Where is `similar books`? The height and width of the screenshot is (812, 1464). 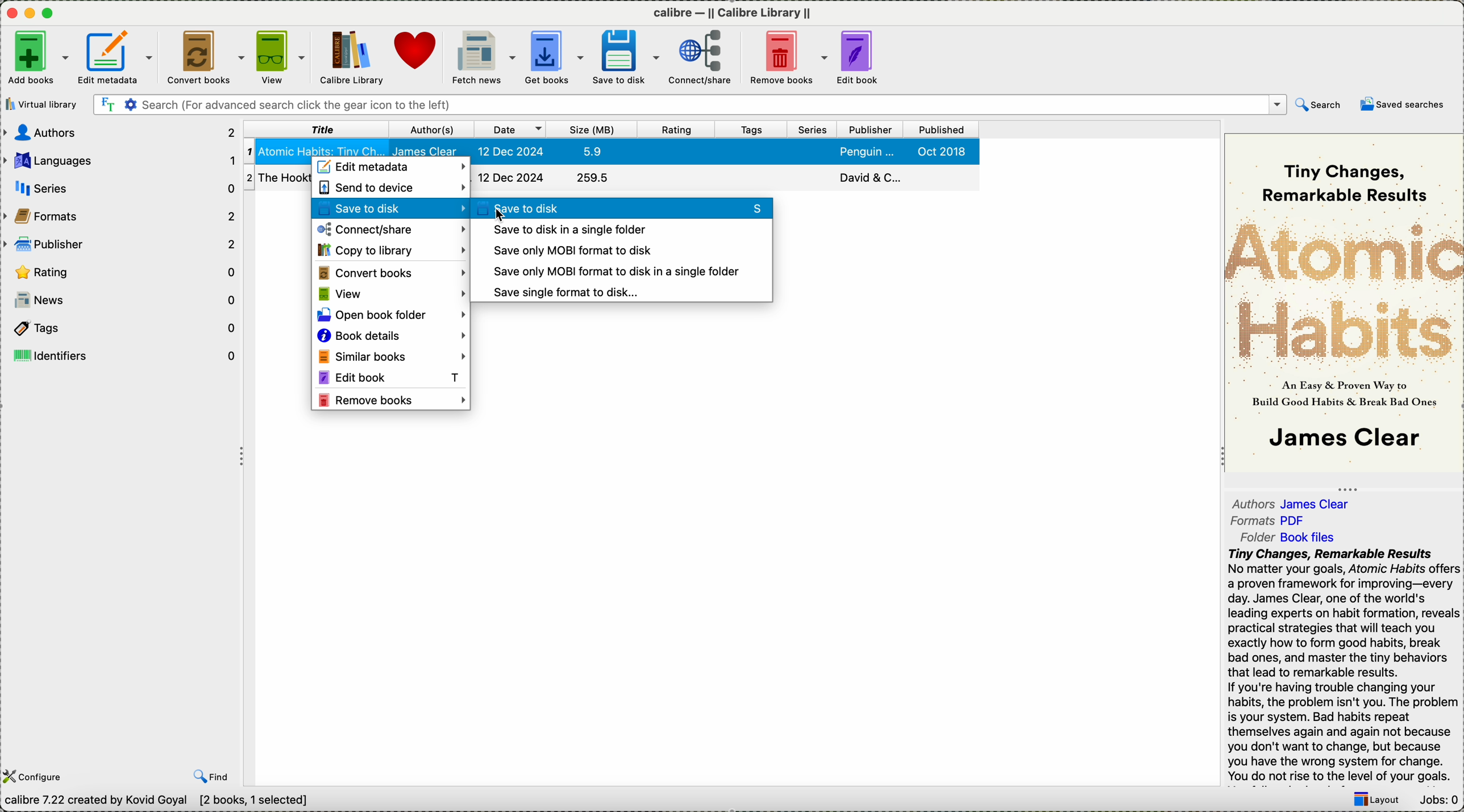
similar books is located at coordinates (390, 357).